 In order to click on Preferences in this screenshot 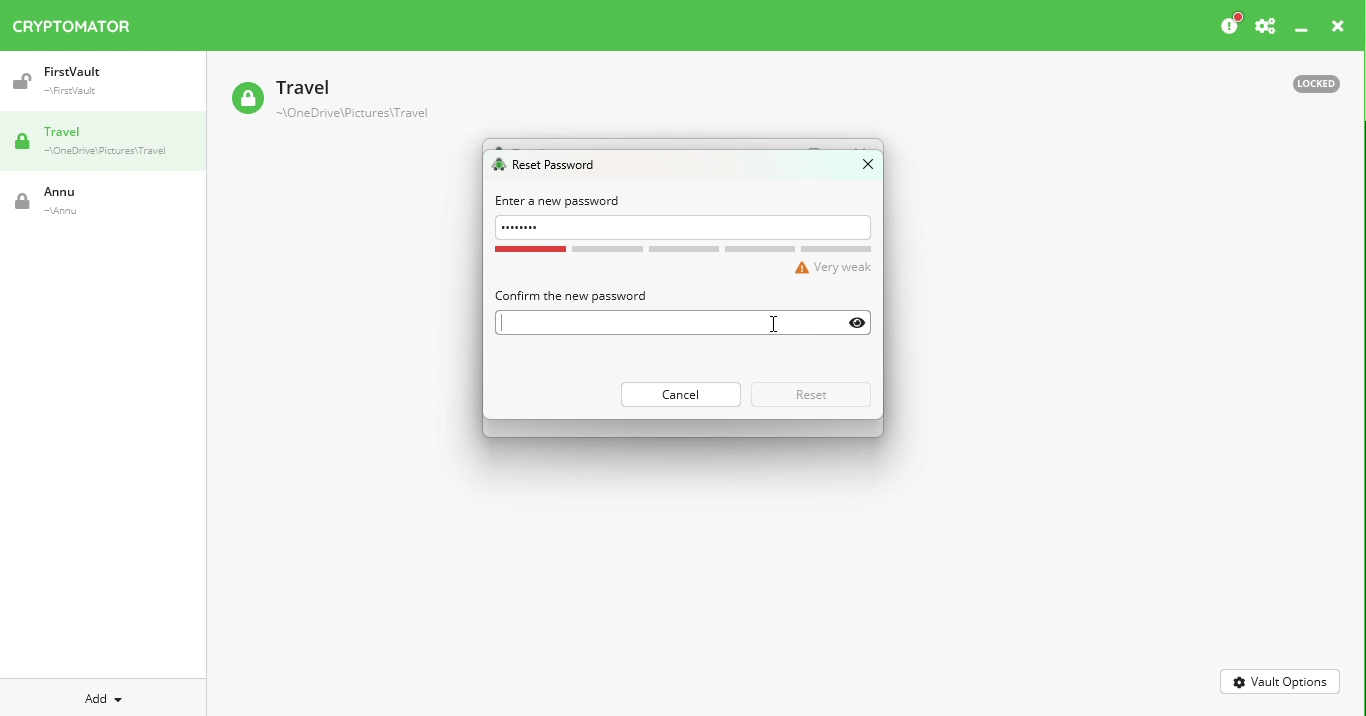, I will do `click(1265, 27)`.